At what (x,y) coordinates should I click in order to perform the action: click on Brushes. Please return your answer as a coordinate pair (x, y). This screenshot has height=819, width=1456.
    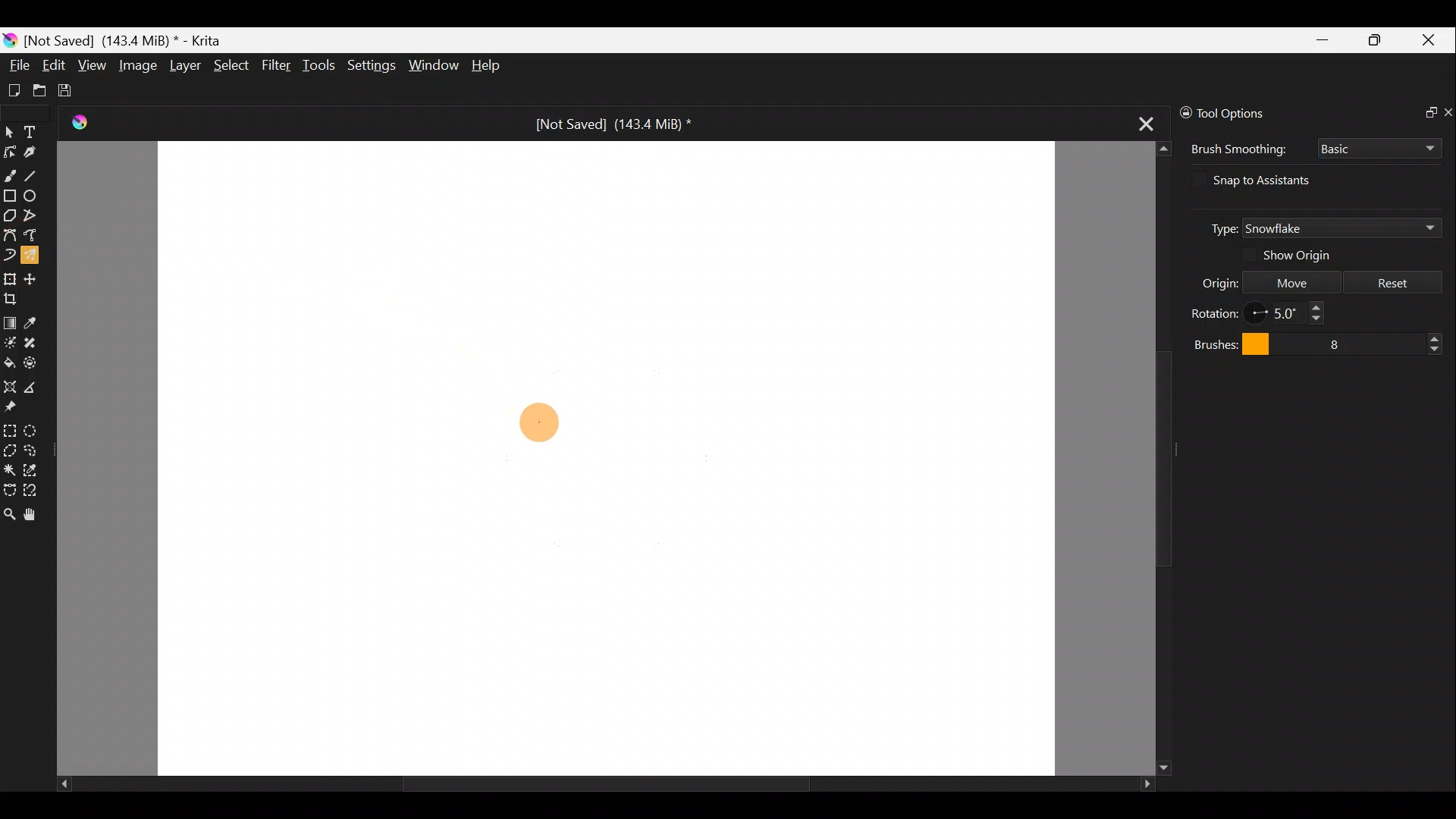
    Looking at the image, I should click on (1227, 343).